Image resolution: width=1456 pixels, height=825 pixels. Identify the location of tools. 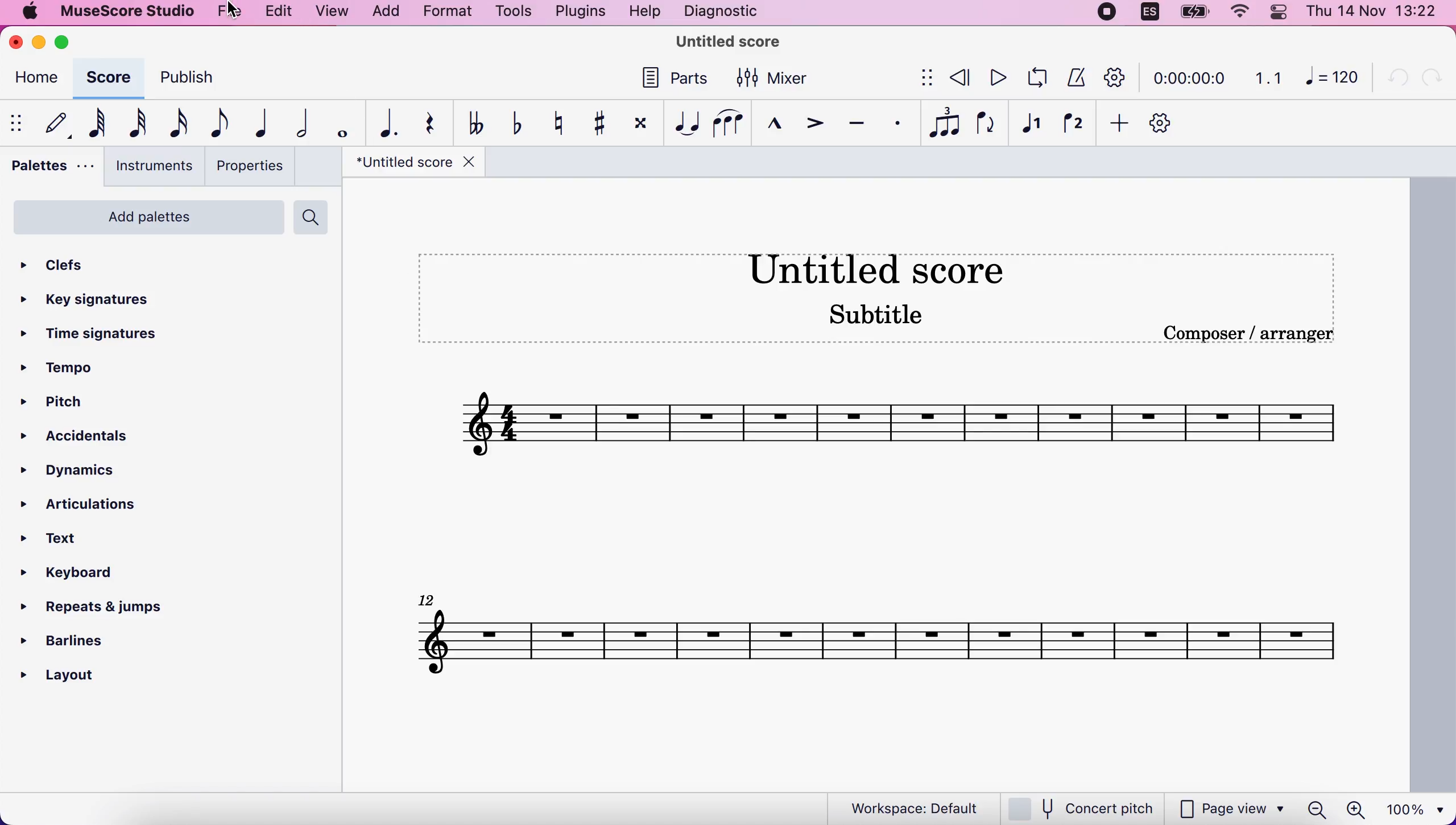
(508, 14).